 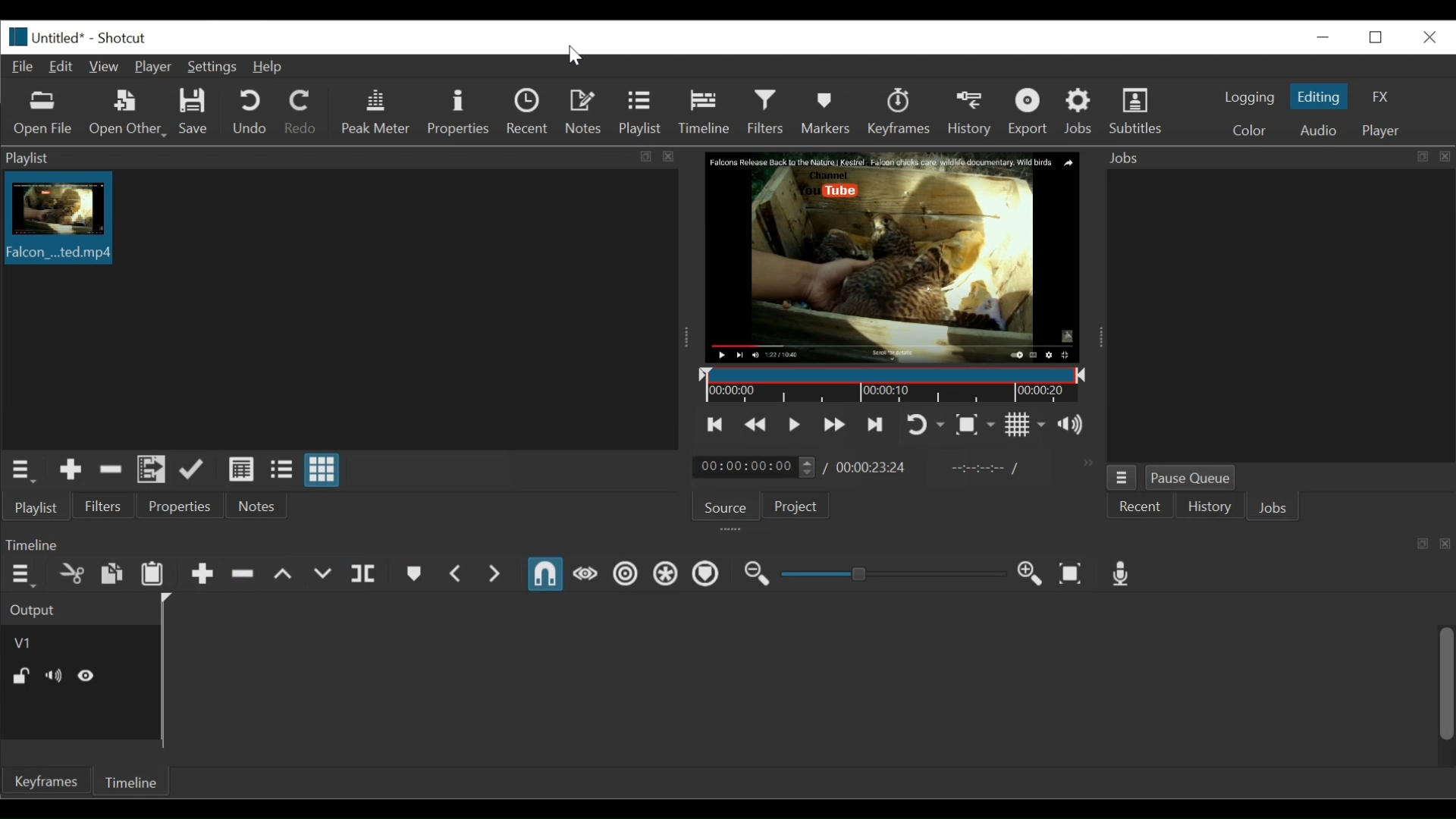 I want to click on Subtitles, so click(x=1145, y=113).